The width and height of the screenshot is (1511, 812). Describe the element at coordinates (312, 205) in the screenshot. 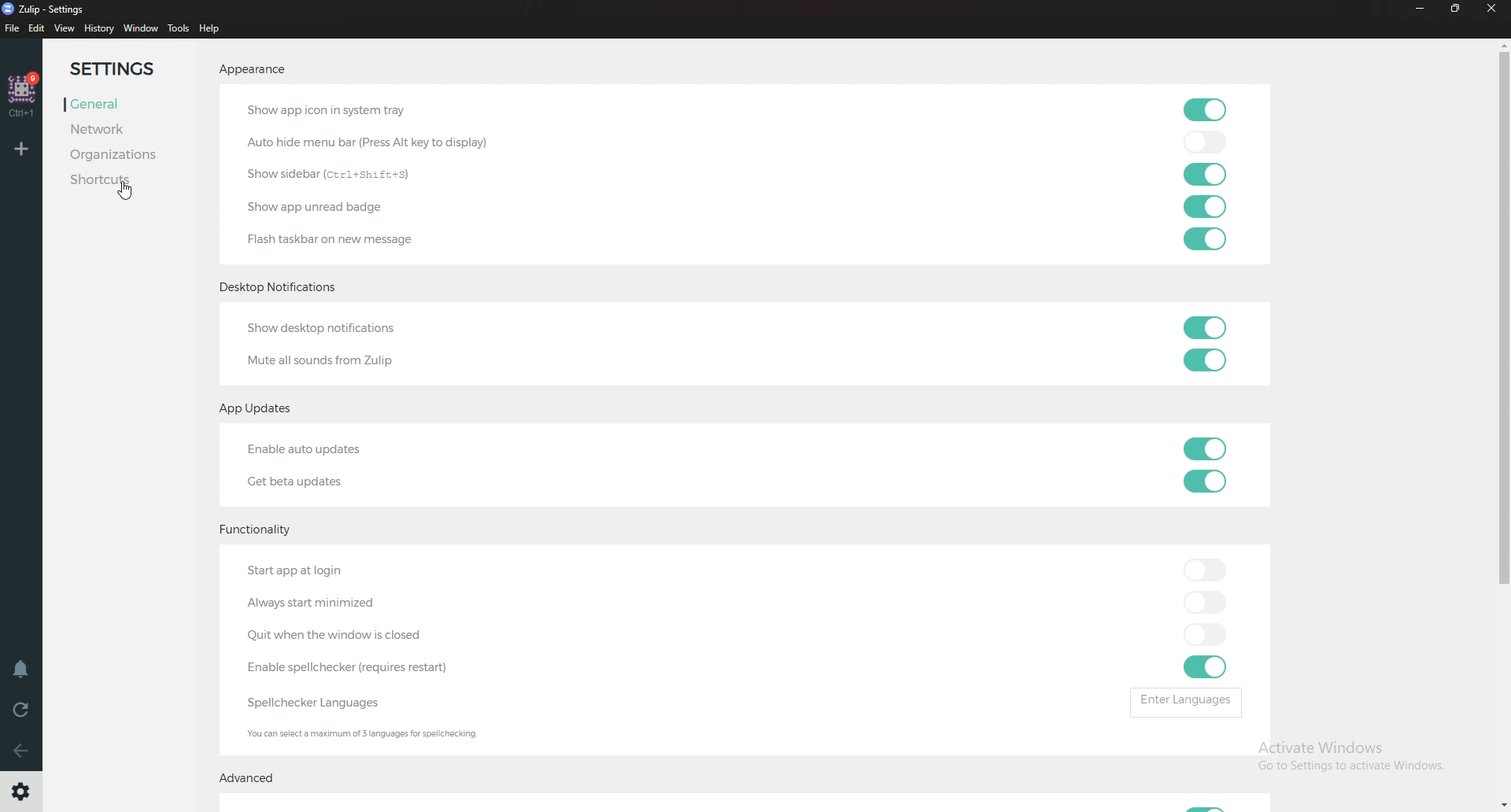

I see `Show app unread badge` at that location.